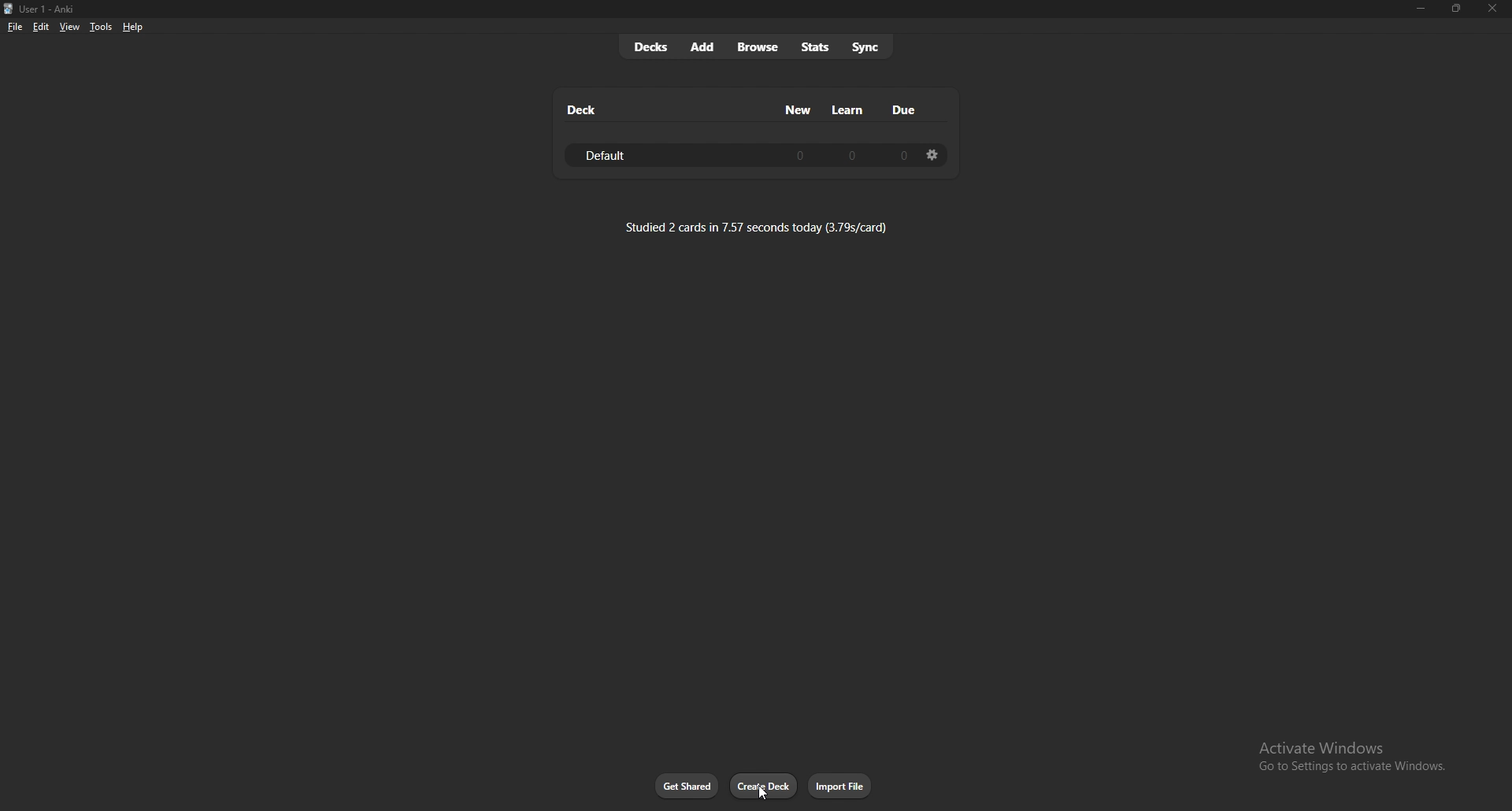  Describe the element at coordinates (815, 47) in the screenshot. I see `stats` at that location.